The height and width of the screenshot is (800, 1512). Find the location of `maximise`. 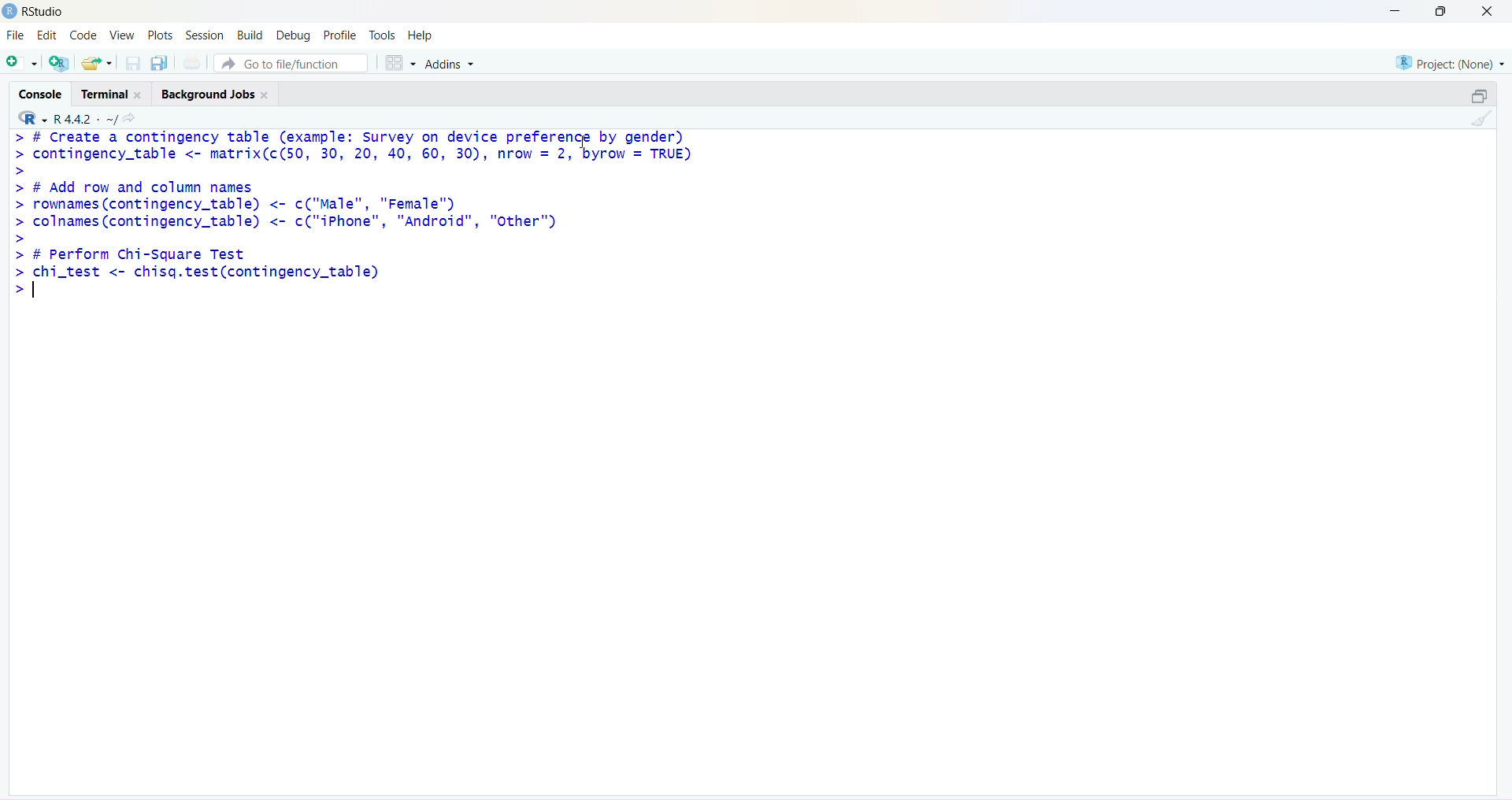

maximise is located at coordinates (1441, 11).